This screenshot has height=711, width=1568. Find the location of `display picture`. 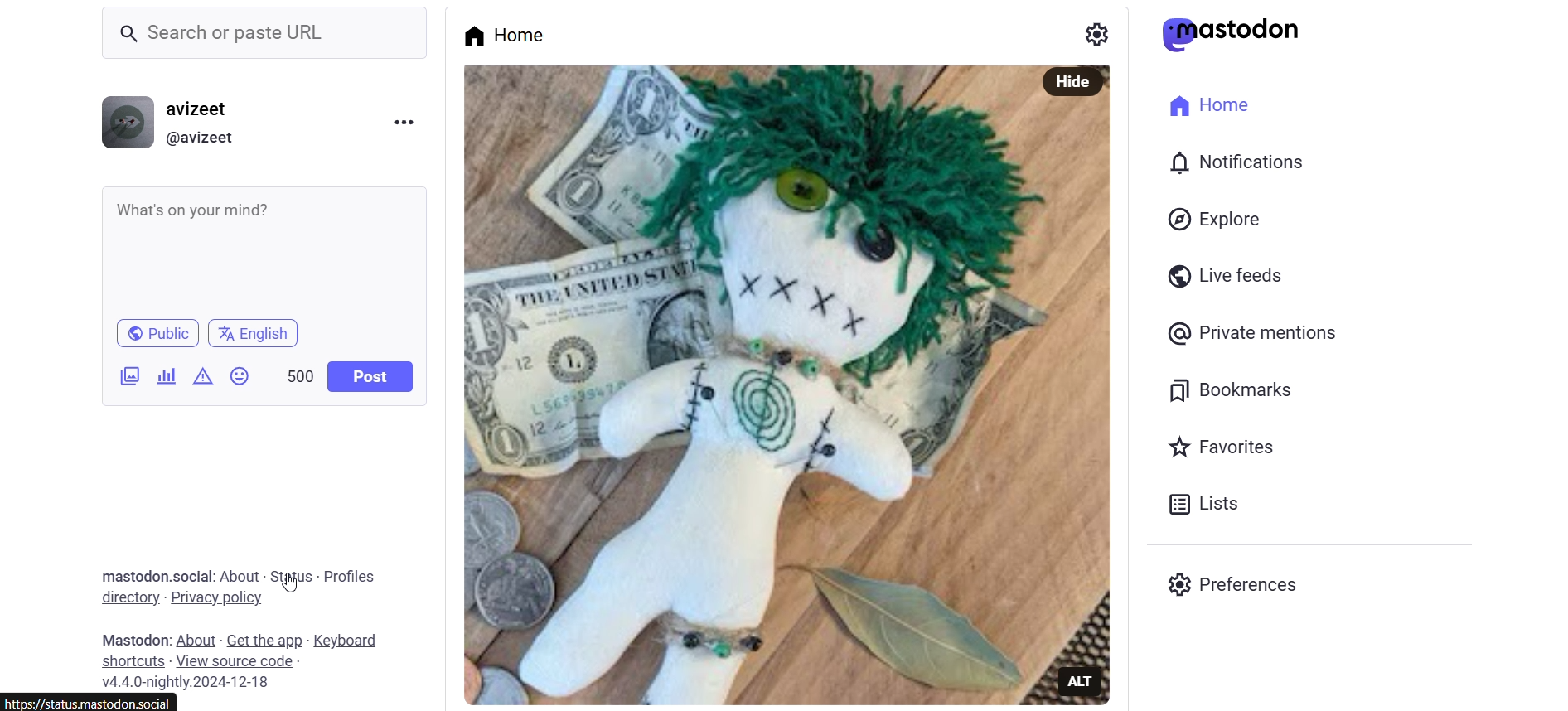

display picture is located at coordinates (126, 120).